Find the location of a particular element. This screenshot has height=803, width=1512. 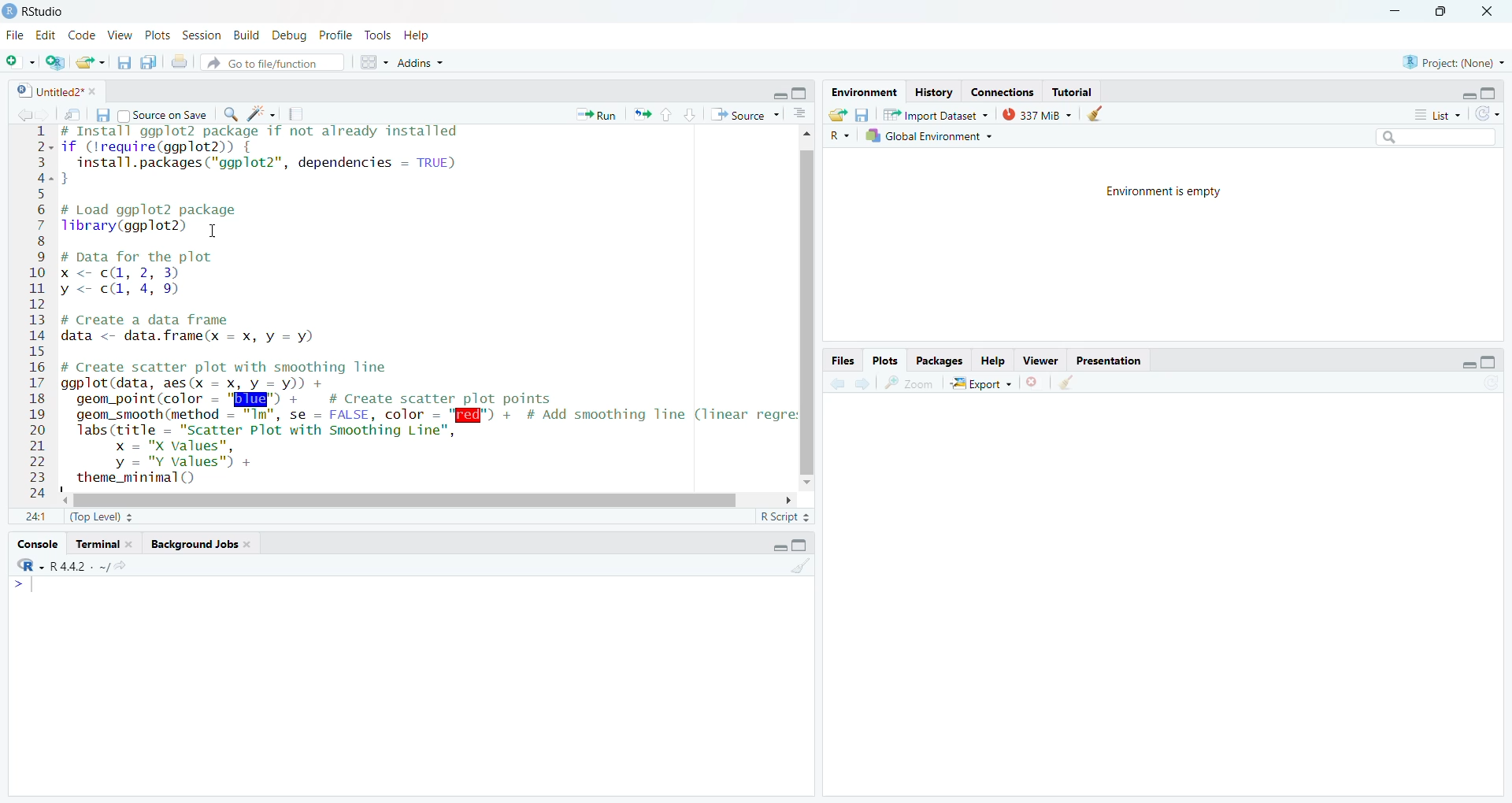

Console is located at coordinates (35, 547).